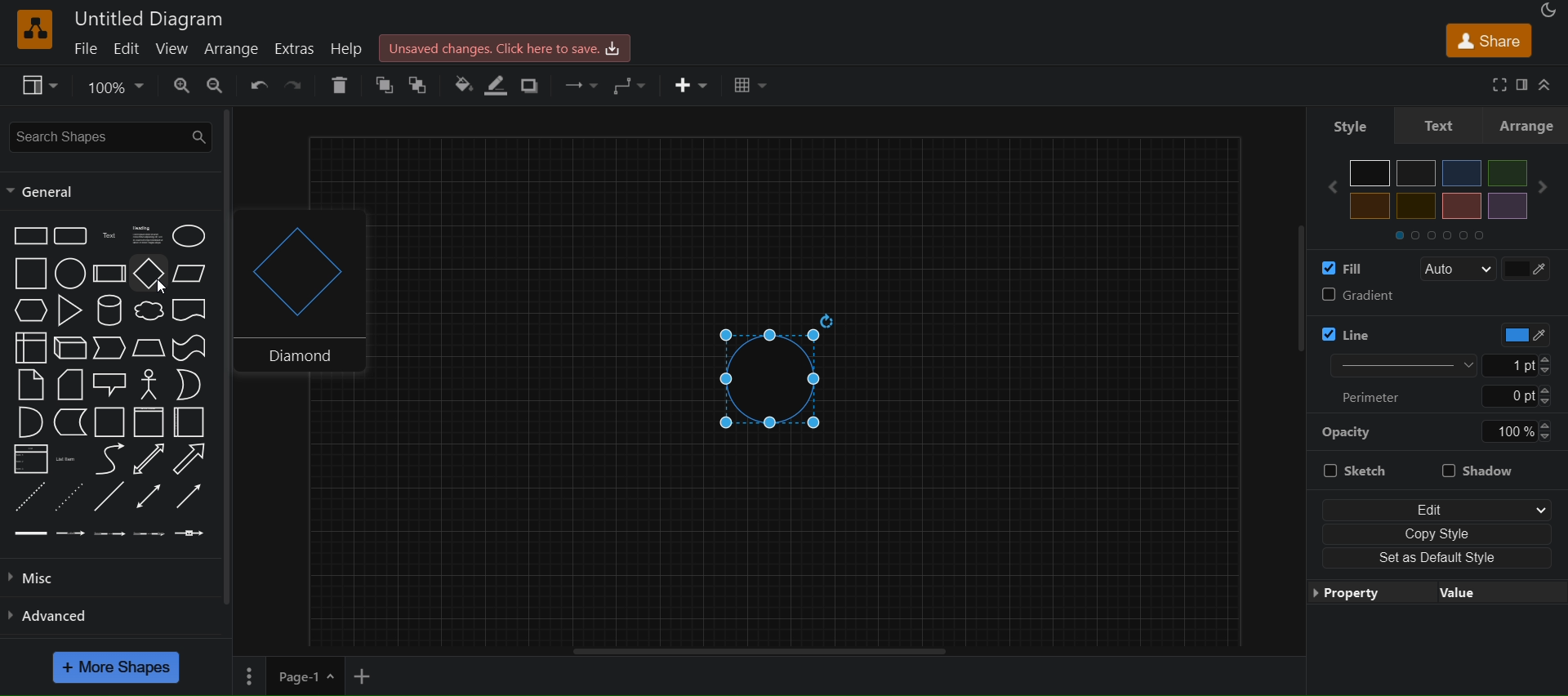 This screenshot has height=696, width=1568. Describe the element at coordinates (112, 310) in the screenshot. I see `cylinder` at that location.